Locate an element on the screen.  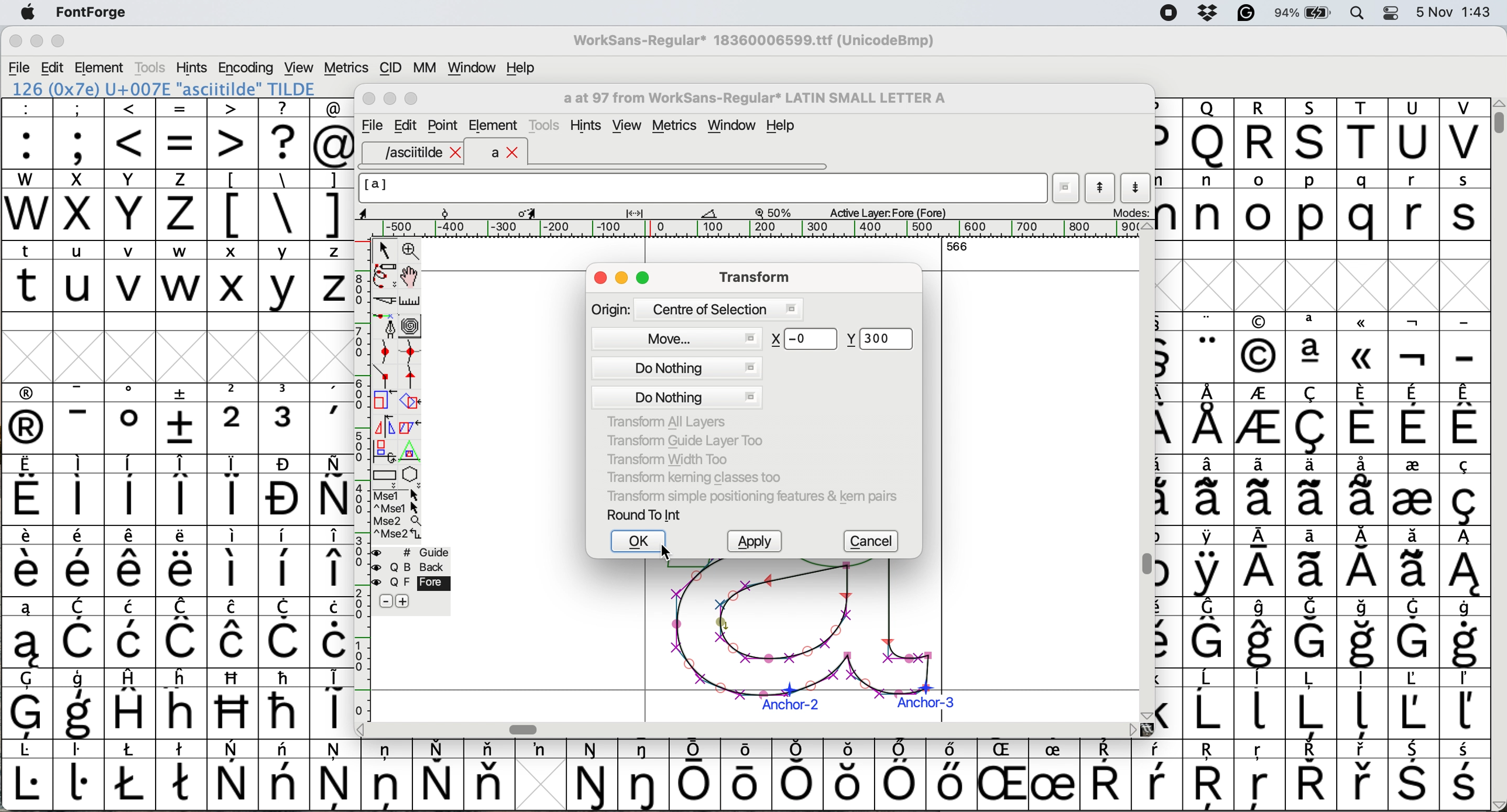
symbol is located at coordinates (1310, 775).